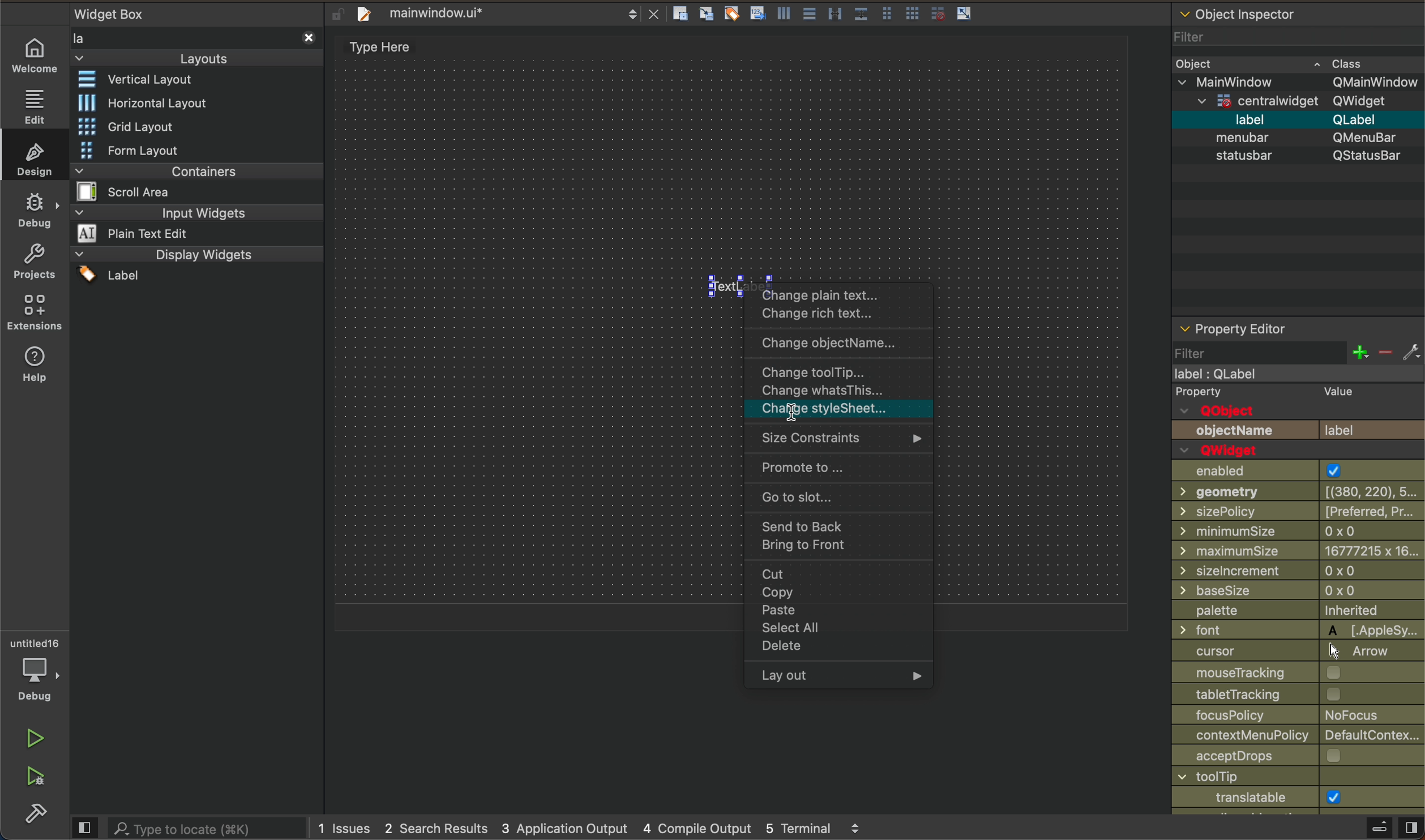  I want to click on status bar, so click(1301, 161).